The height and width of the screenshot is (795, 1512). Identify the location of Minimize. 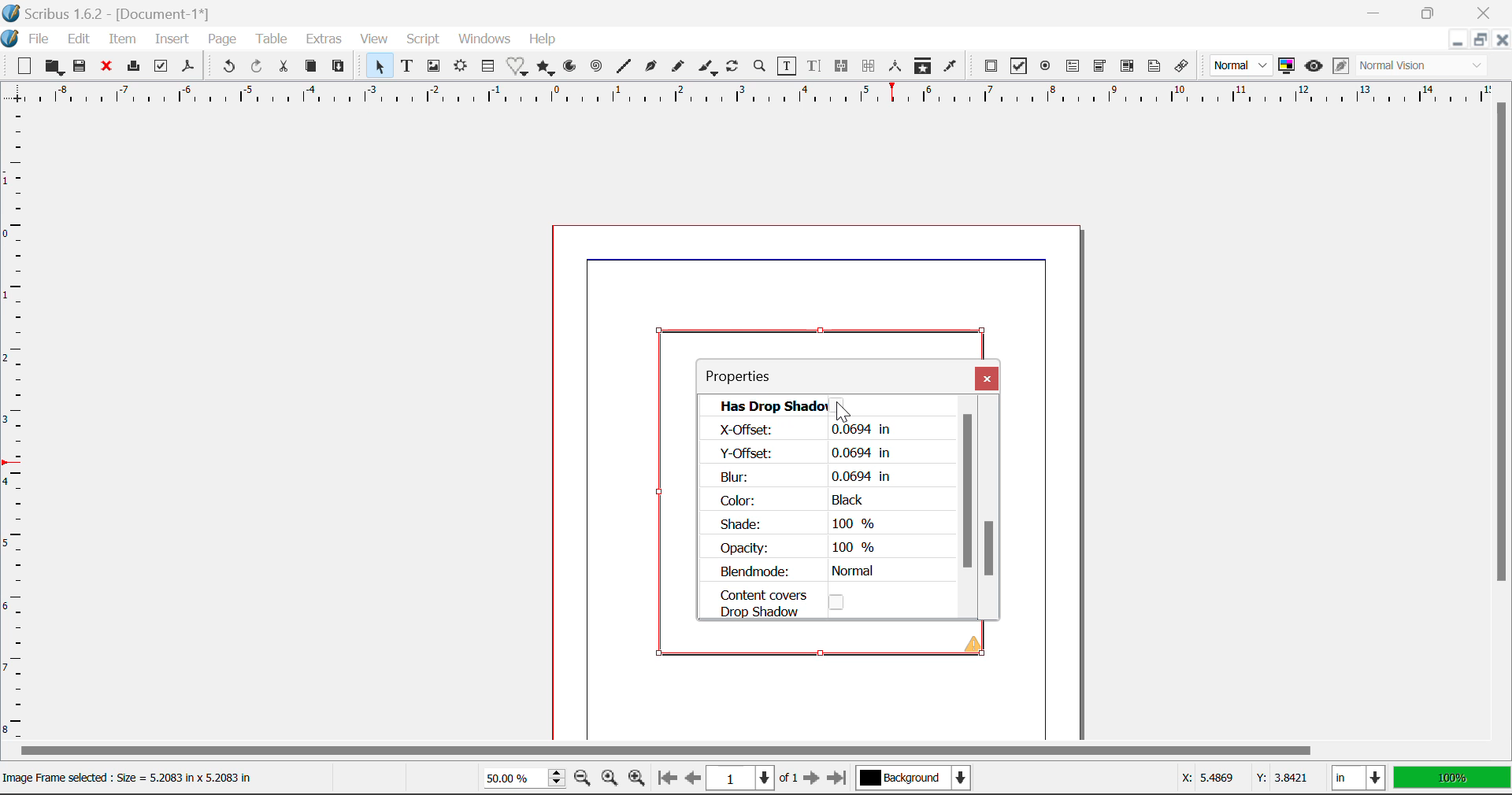
(1480, 39).